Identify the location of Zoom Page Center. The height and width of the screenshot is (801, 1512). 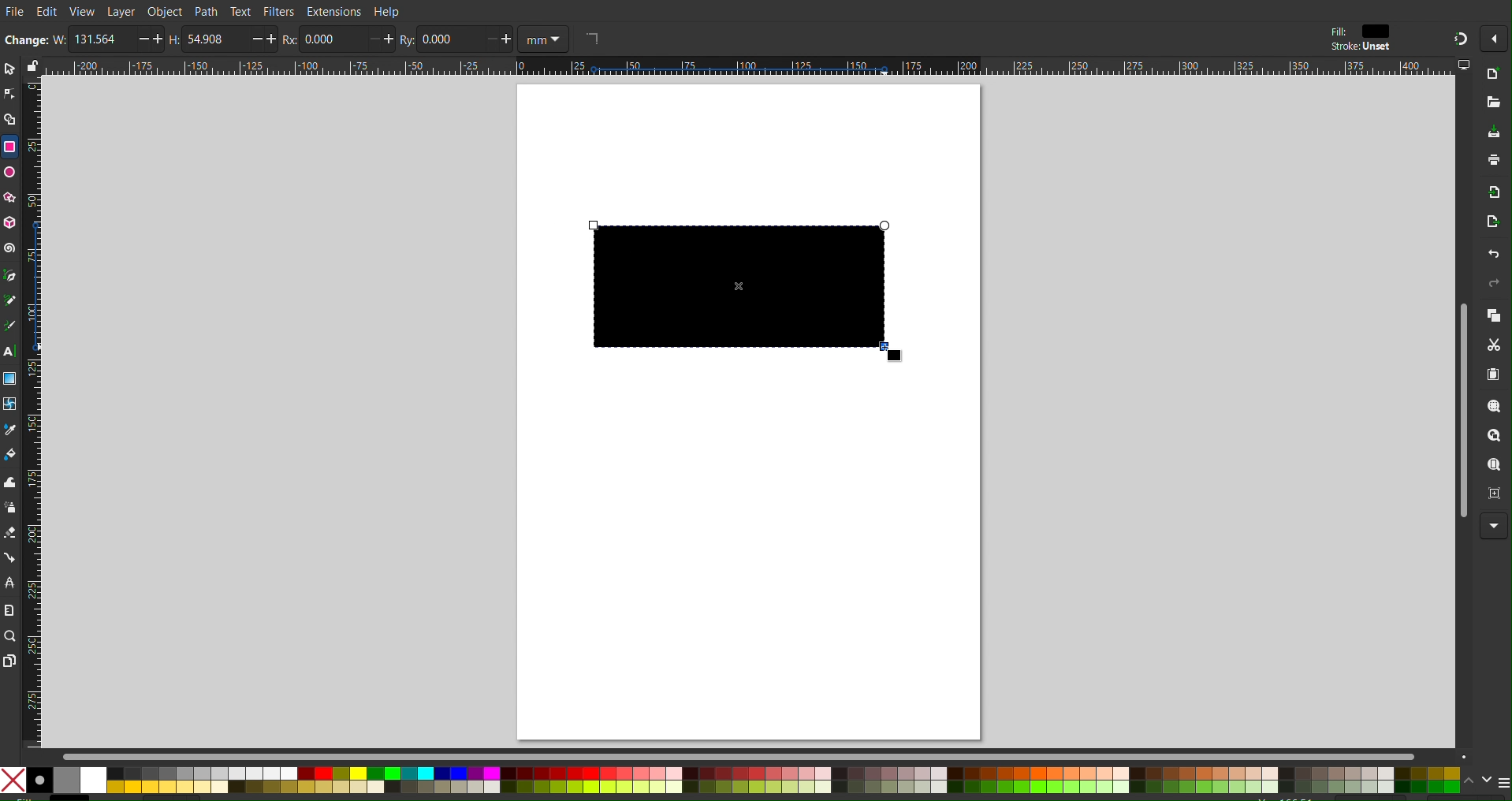
(1494, 495).